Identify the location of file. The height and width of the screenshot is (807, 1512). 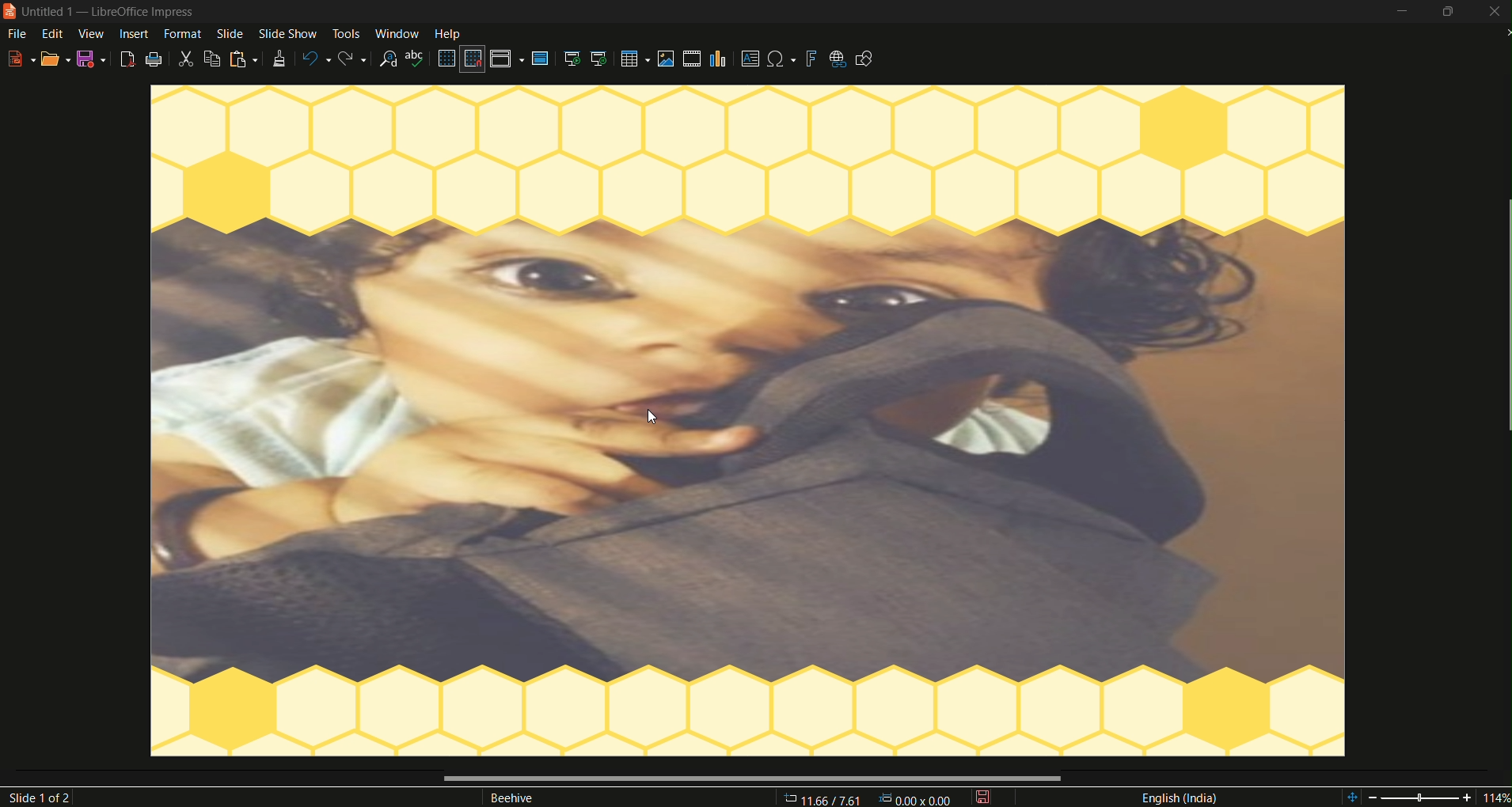
(16, 32).